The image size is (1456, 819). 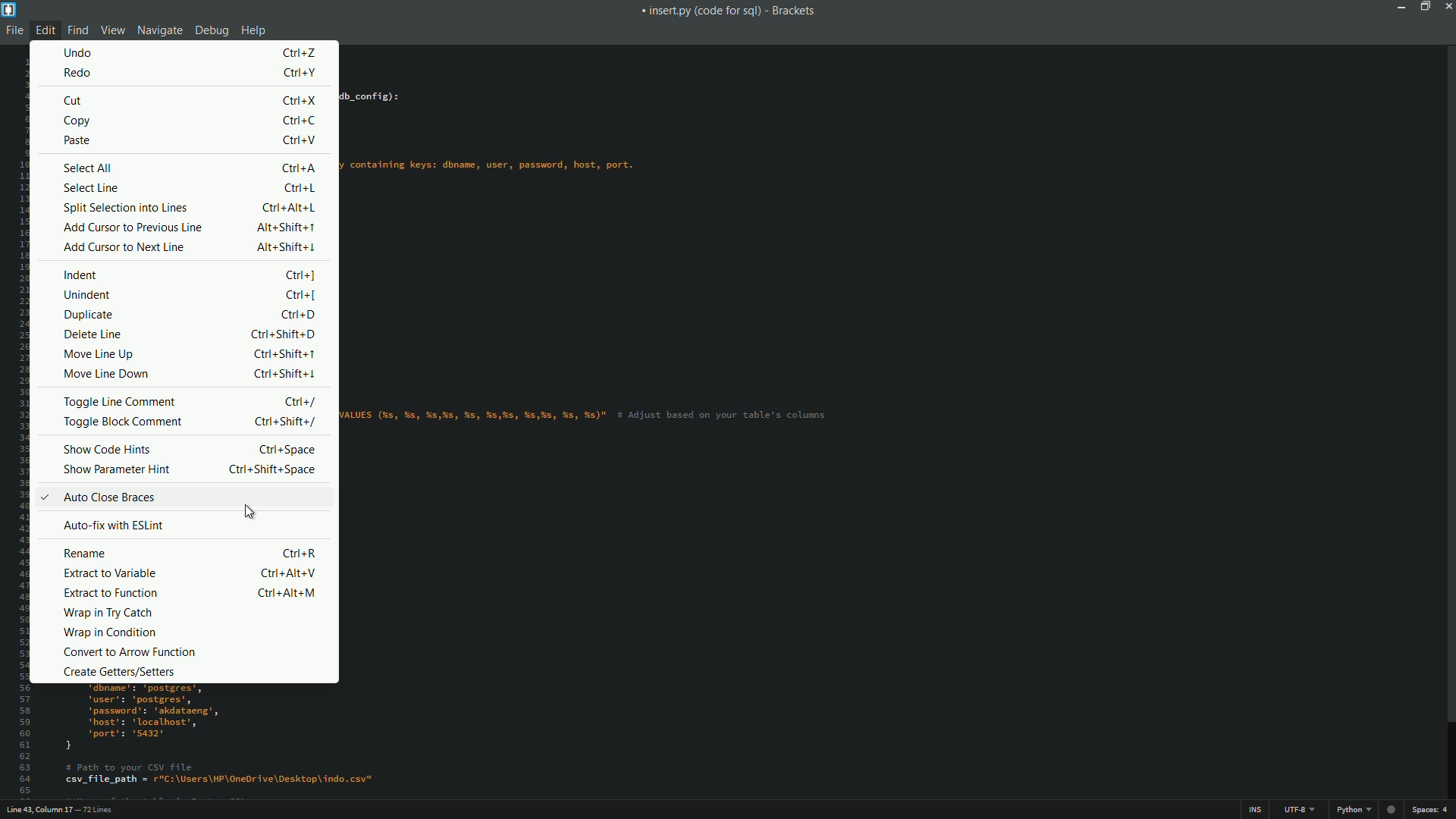 I want to click on auto fix with eslint, so click(x=111, y=524).